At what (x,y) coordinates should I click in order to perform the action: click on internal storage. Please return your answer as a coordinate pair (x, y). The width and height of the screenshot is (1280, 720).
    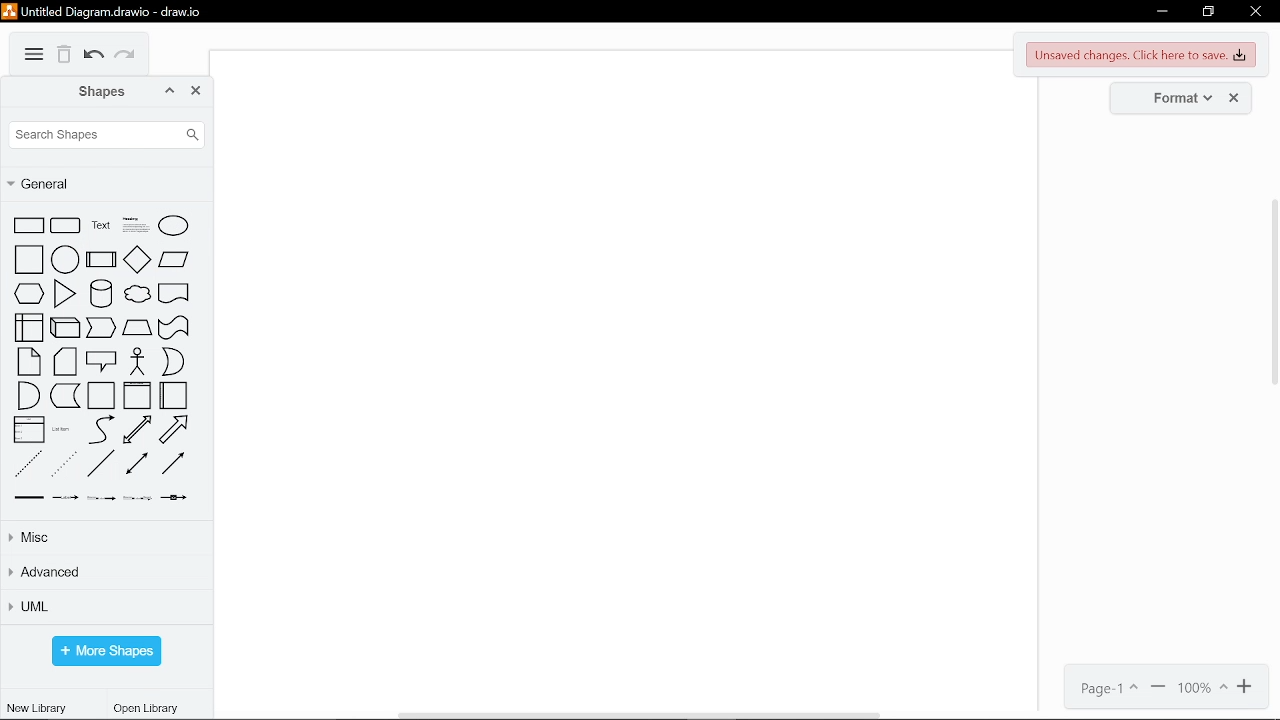
    Looking at the image, I should click on (28, 328).